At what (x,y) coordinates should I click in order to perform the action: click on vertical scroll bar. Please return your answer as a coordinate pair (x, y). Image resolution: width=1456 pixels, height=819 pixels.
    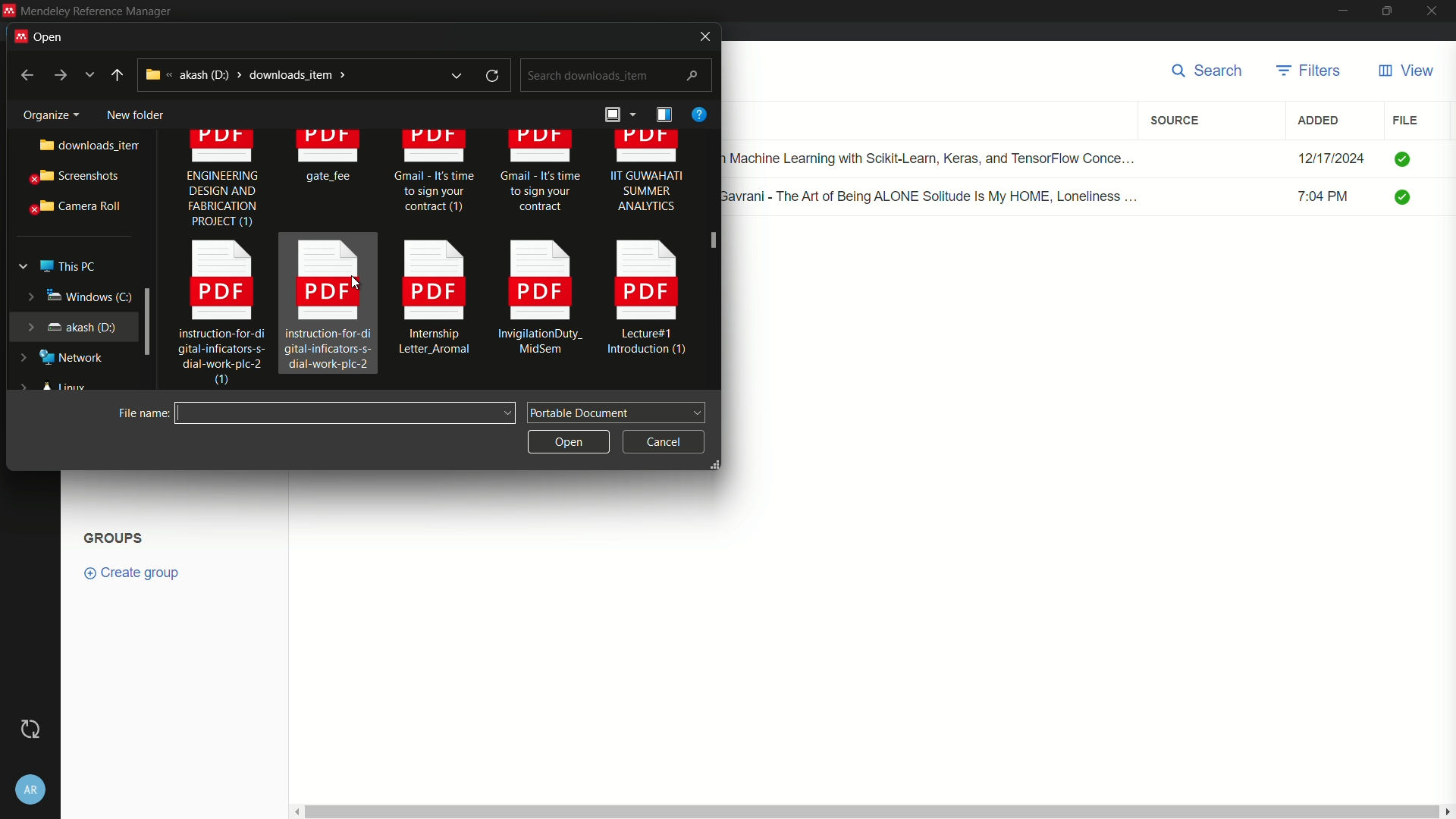
    Looking at the image, I should click on (870, 811).